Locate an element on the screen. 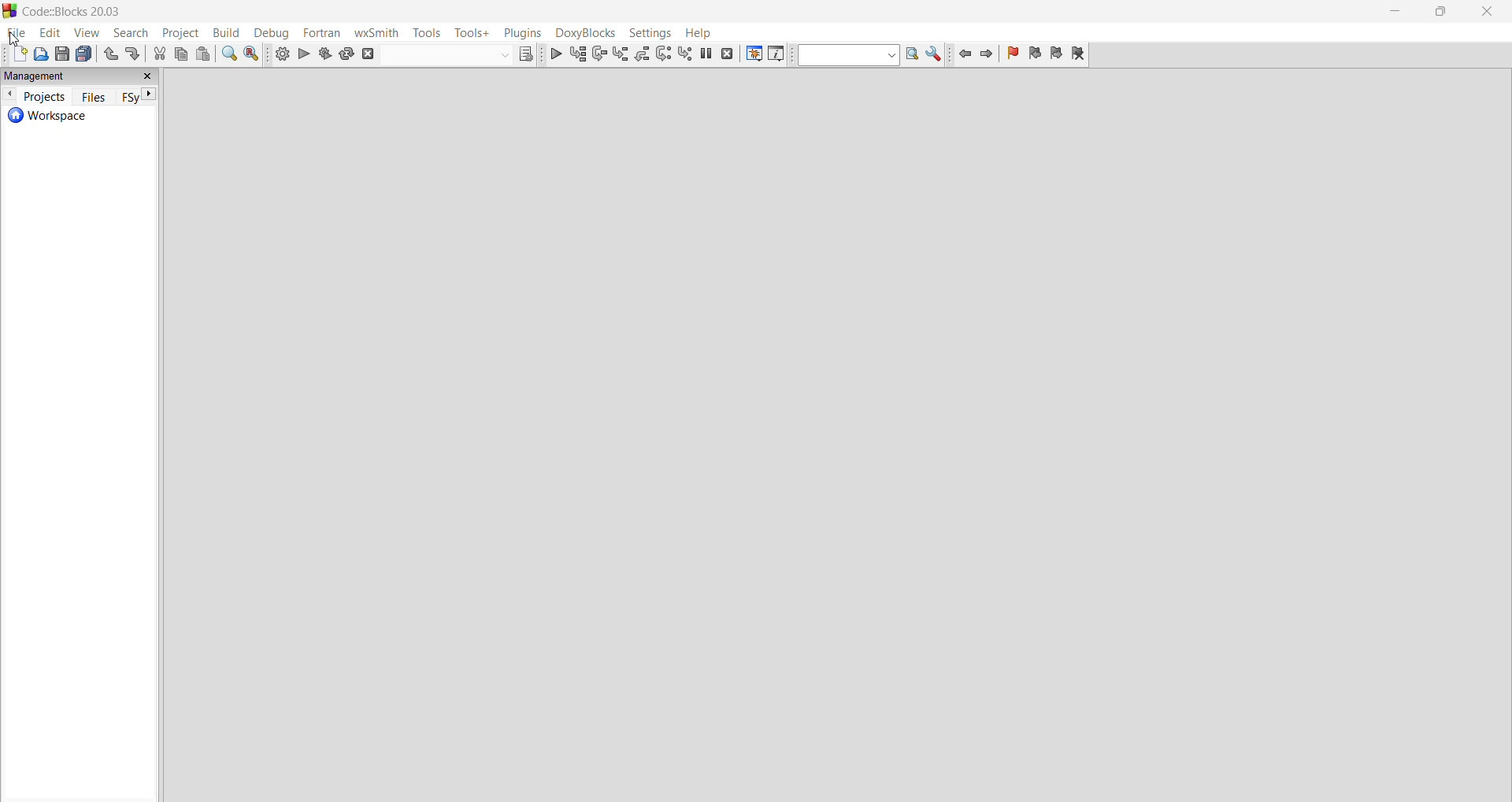  search is located at coordinates (134, 33).